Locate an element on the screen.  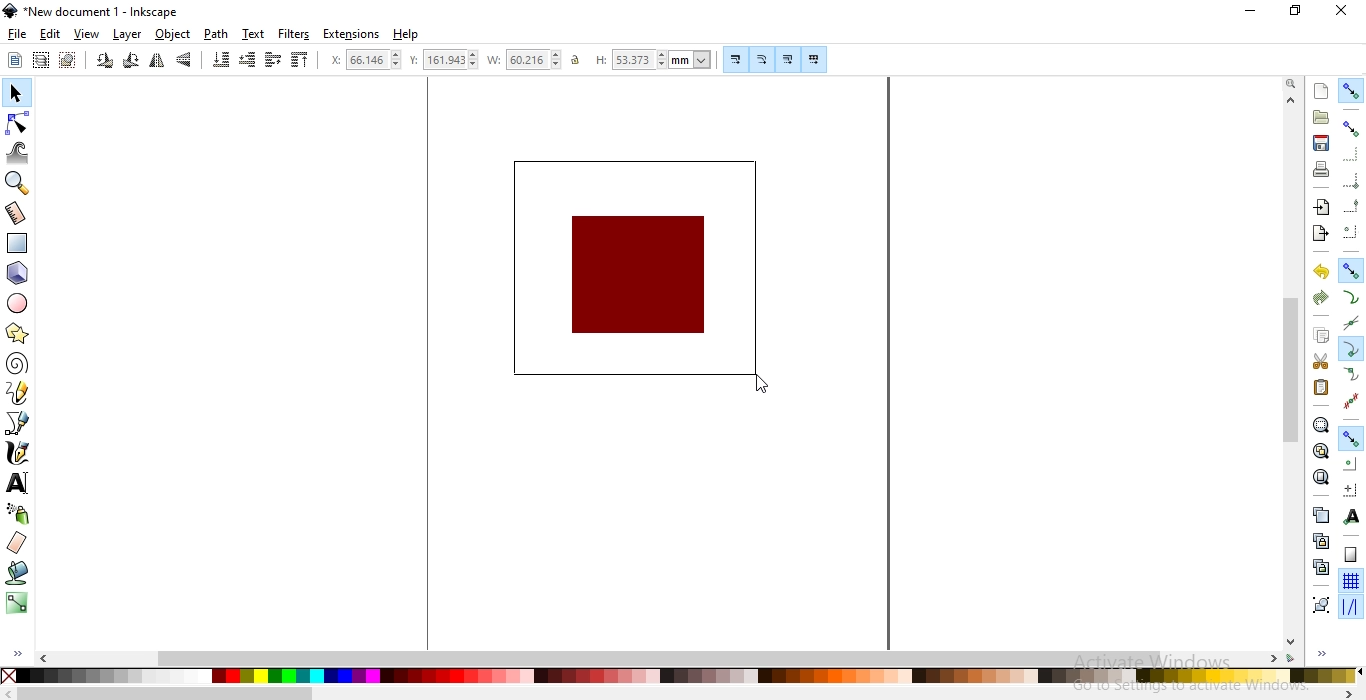
copy selection to clipboard is located at coordinates (1320, 336).